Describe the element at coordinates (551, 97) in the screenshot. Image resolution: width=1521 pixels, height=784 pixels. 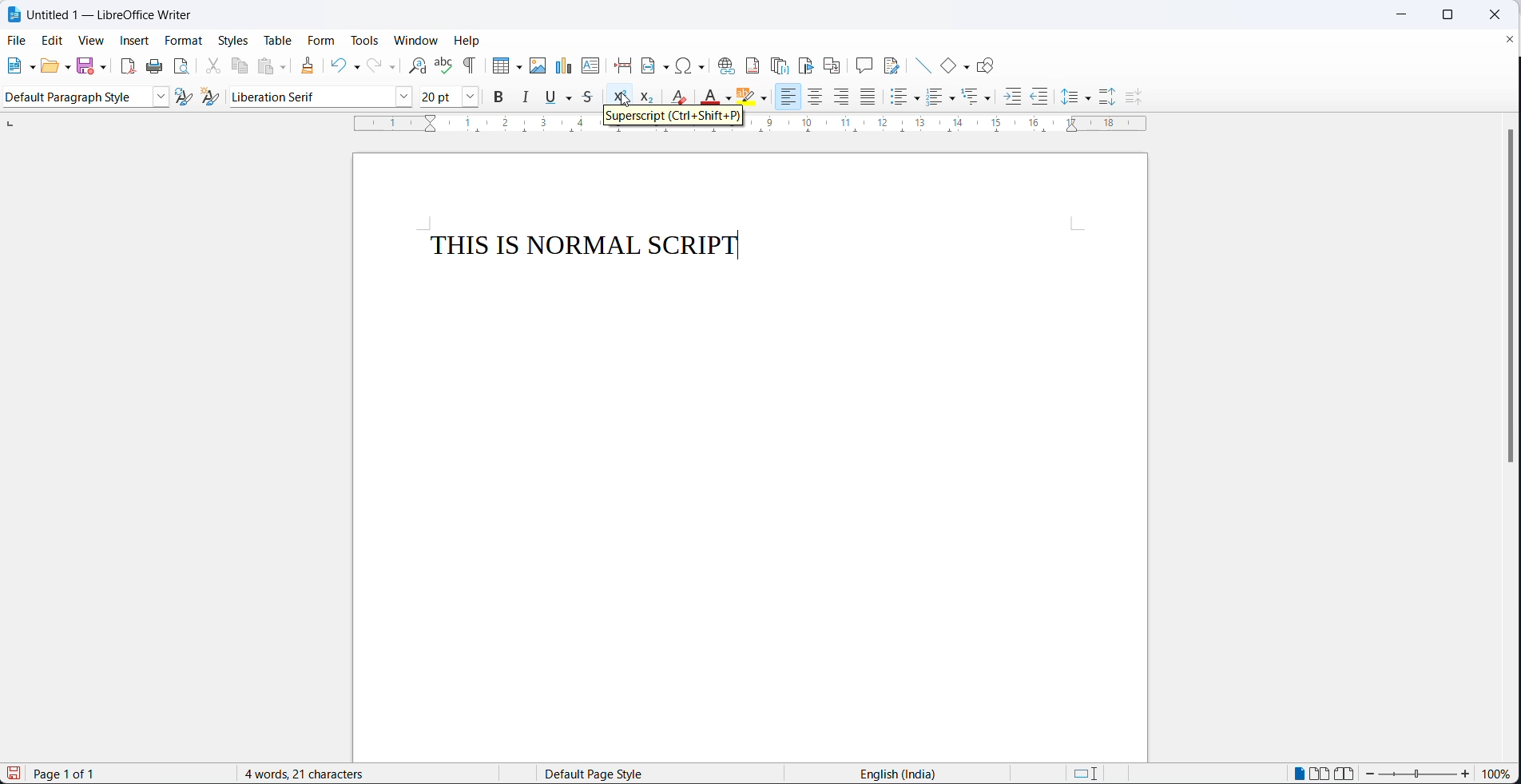
I see `underline` at that location.